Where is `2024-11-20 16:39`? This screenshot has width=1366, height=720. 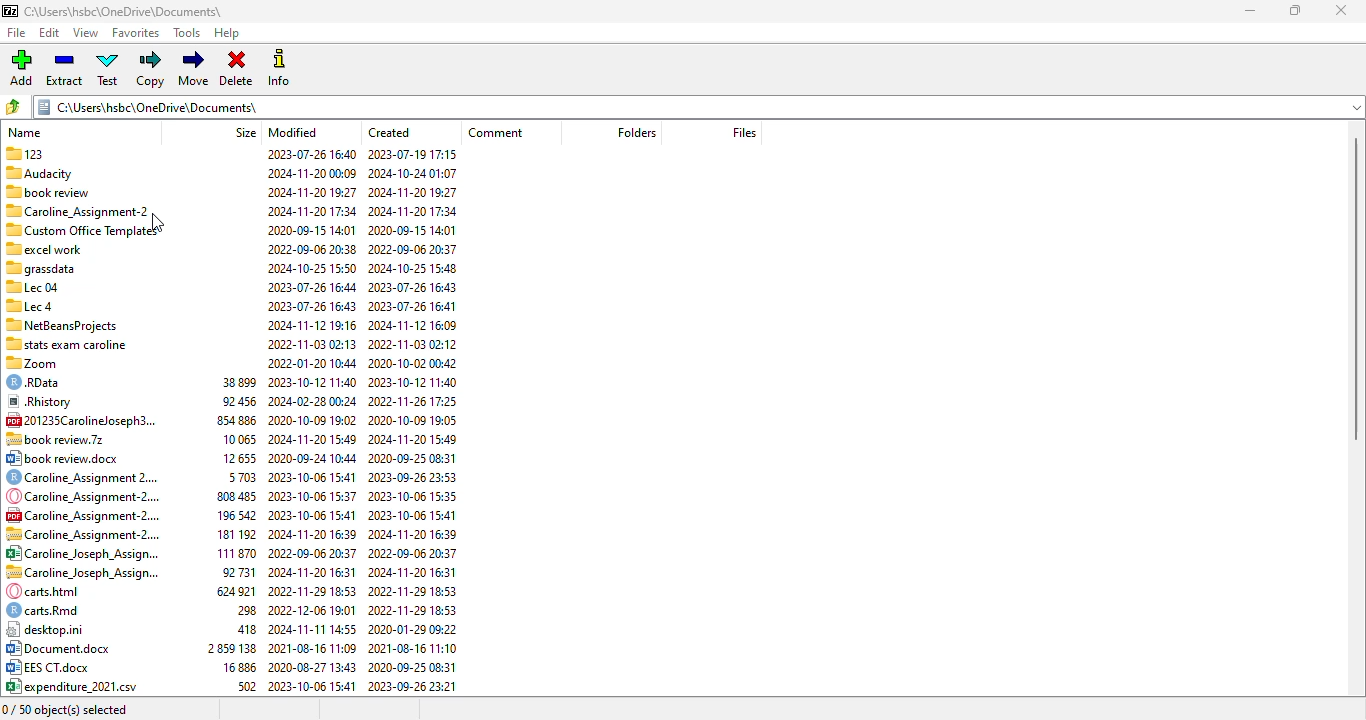
2024-11-20 16:39 is located at coordinates (413, 534).